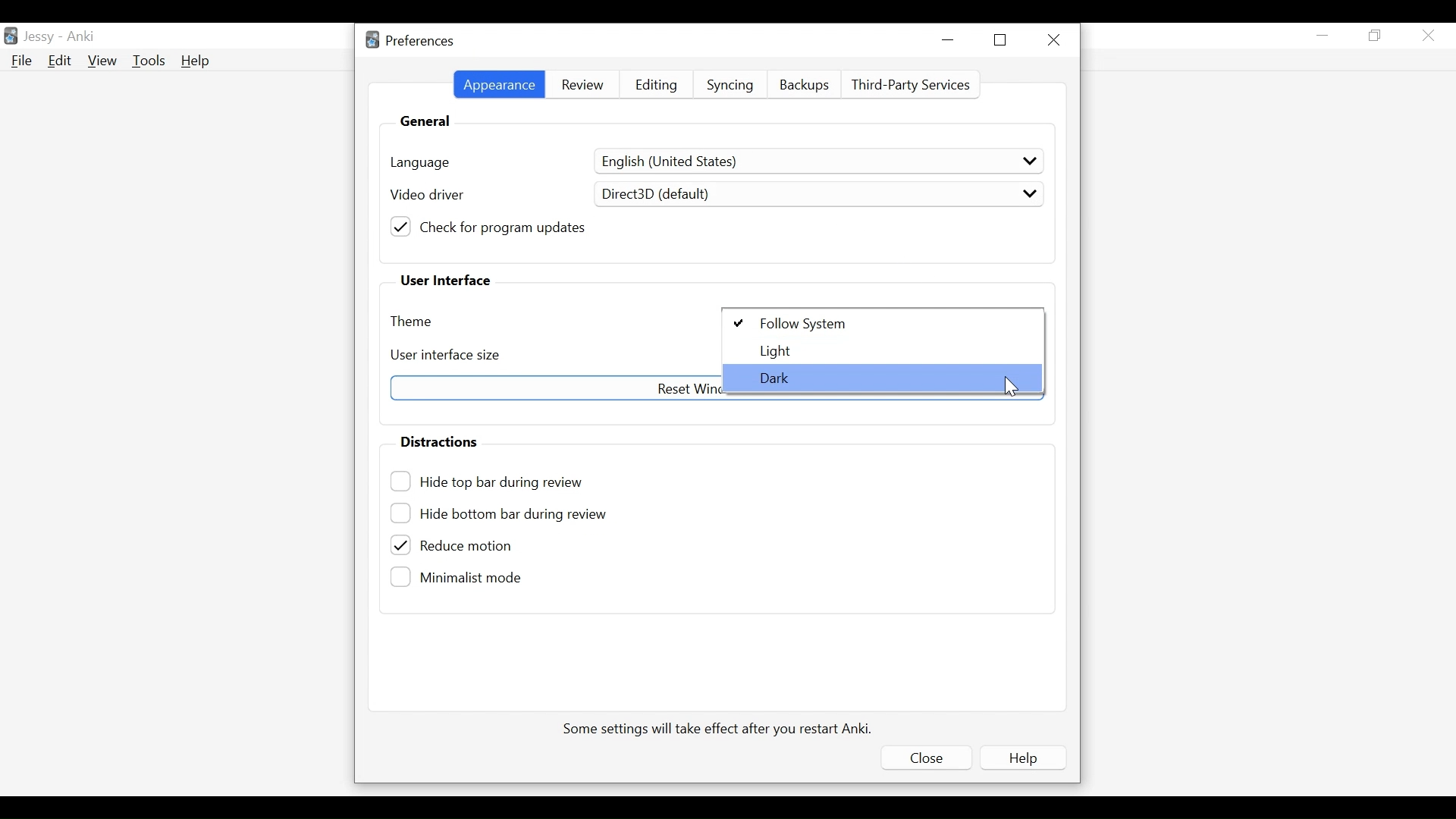  I want to click on Restore, so click(999, 39).